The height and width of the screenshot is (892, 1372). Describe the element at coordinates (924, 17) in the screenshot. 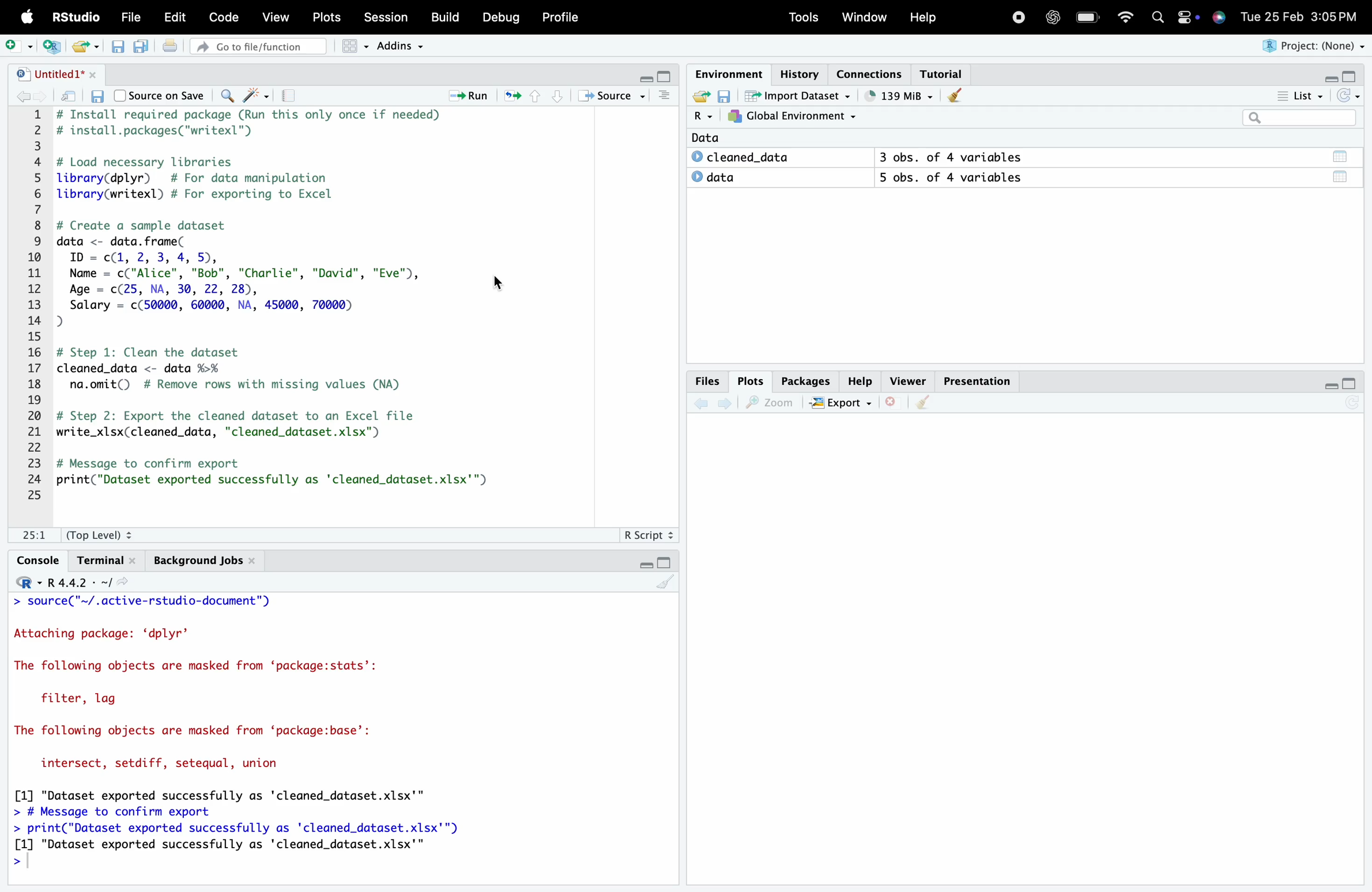

I see `Help` at that location.